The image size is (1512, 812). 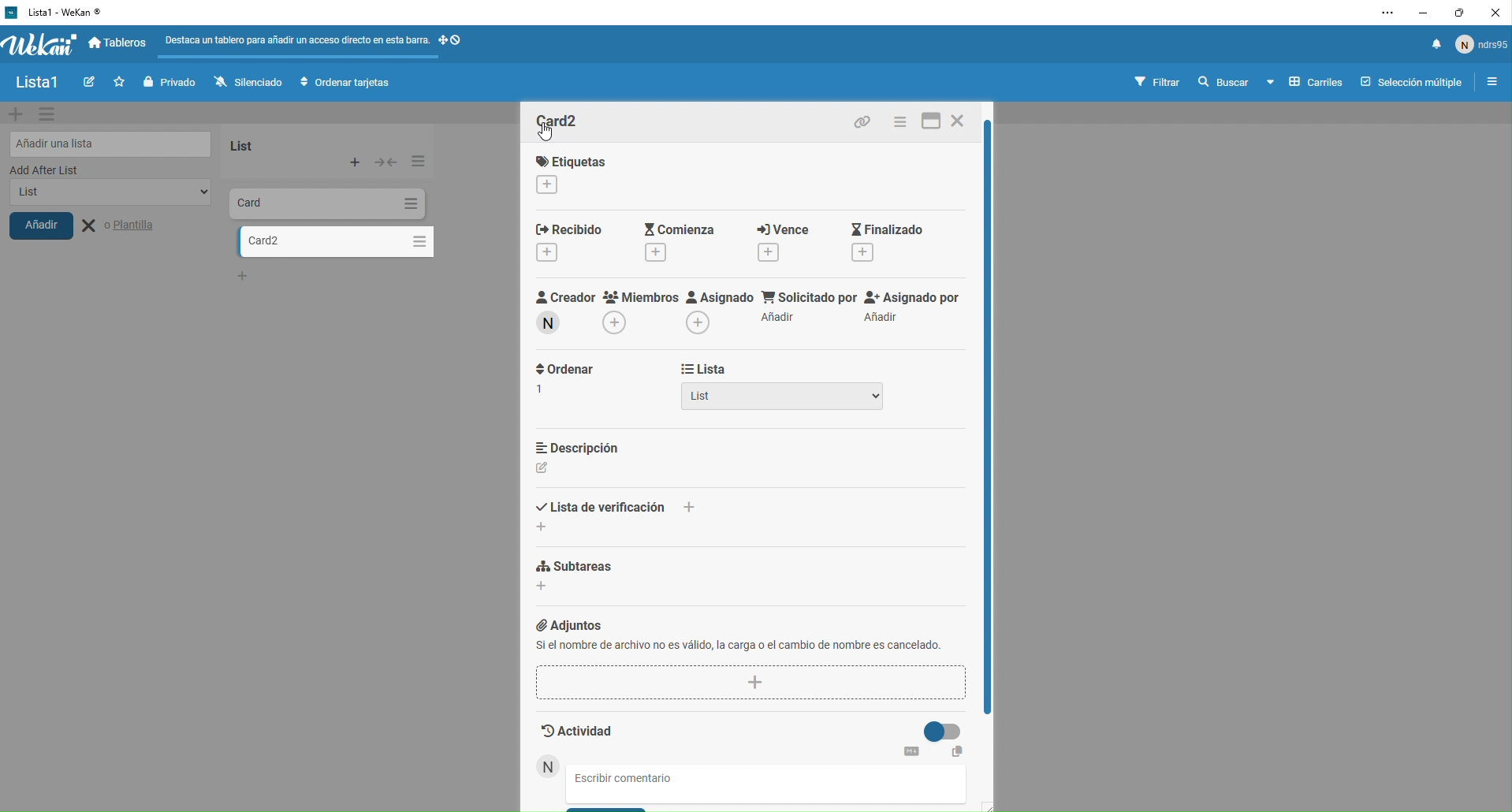 I want to click on @ Adjuntos
Si el nombre de archivo no es valido, la carga o el cambio de nombre es cancelado.
i i |, so click(x=750, y=657).